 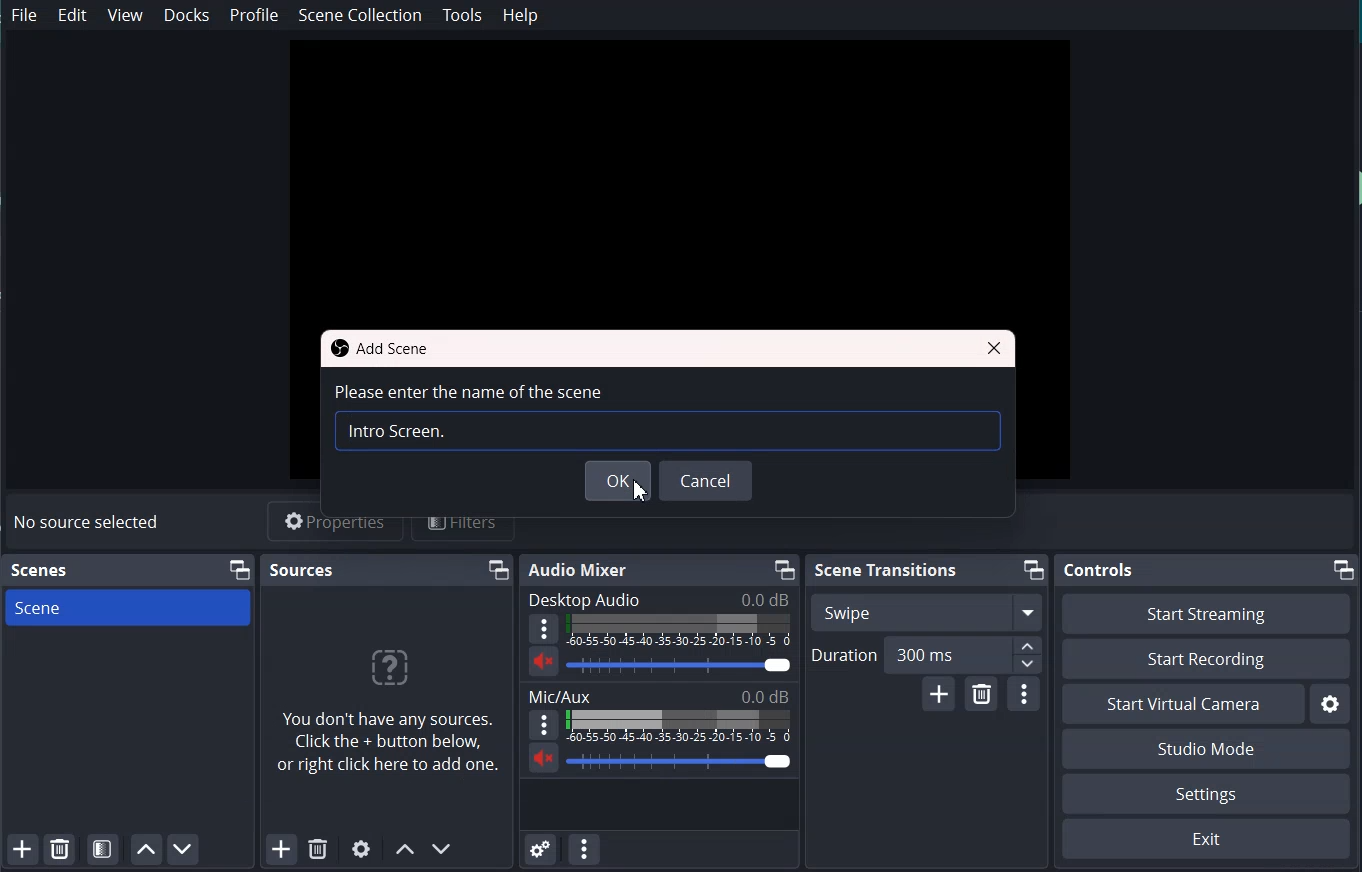 I want to click on Help, so click(x=521, y=15).